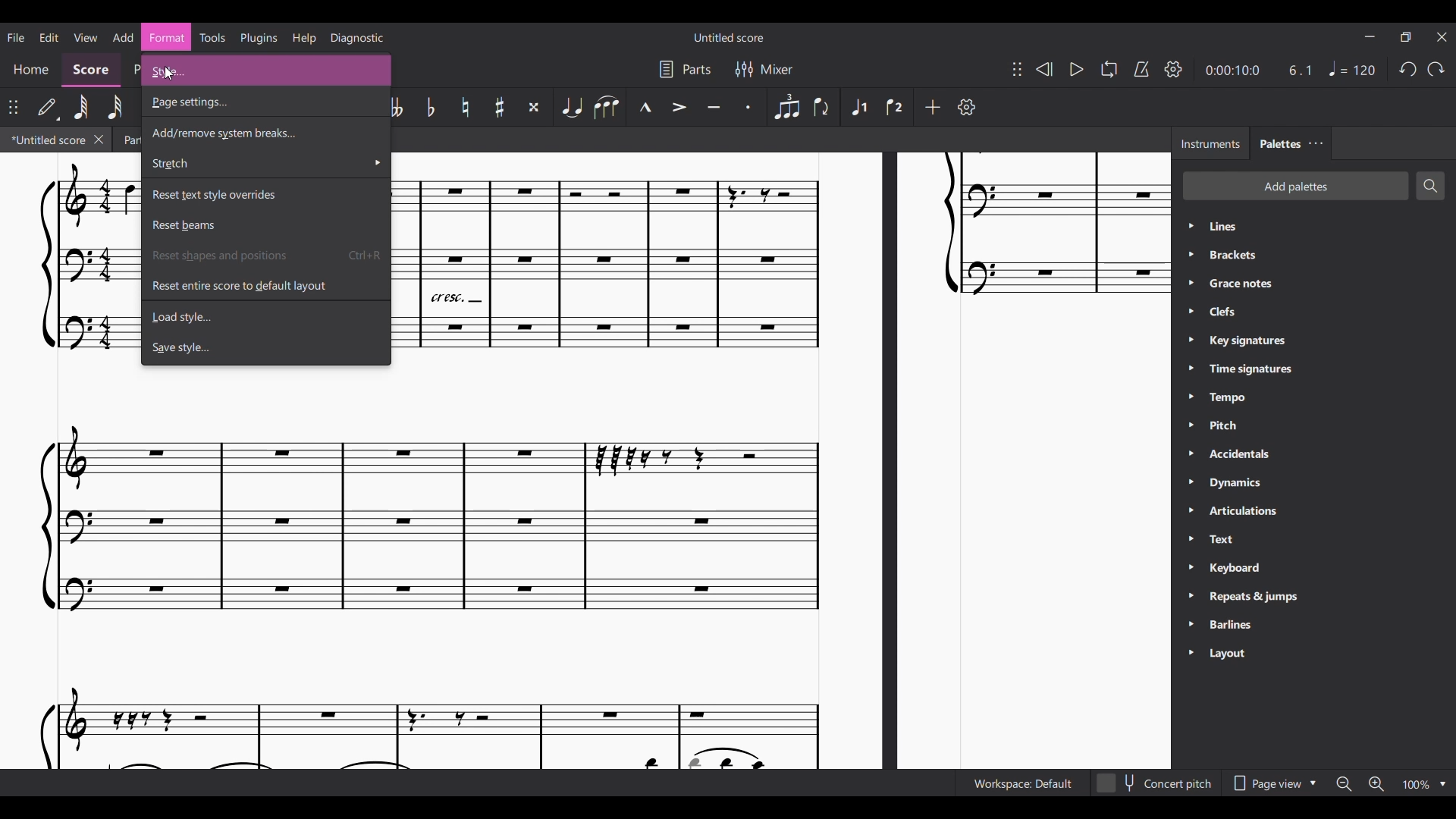 This screenshot has height=819, width=1456. What do you see at coordinates (1273, 783) in the screenshot?
I see `Page view options` at bounding box center [1273, 783].